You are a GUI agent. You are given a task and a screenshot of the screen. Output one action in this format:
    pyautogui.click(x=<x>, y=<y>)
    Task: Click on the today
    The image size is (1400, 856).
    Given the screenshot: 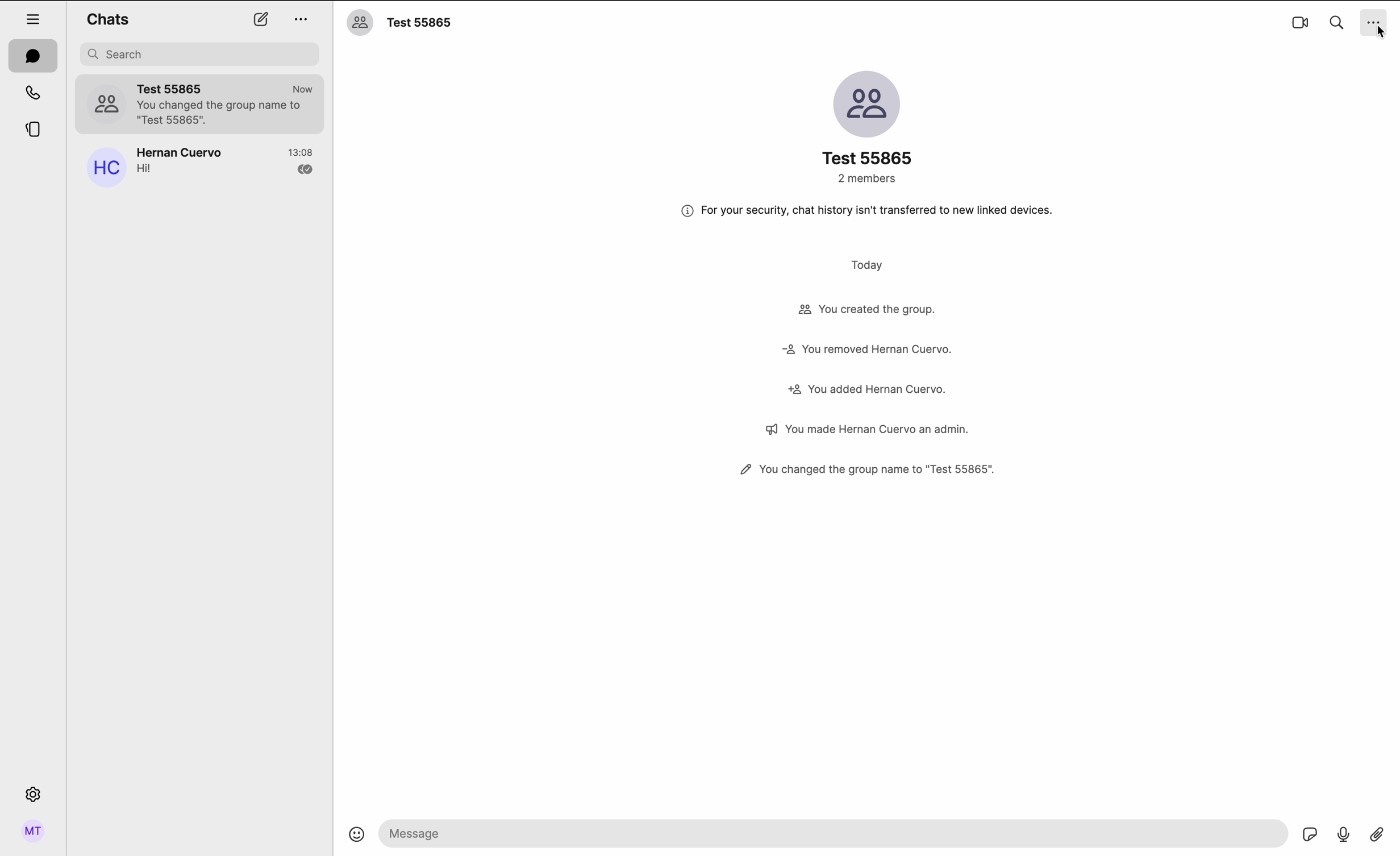 What is the action you would take?
    pyautogui.click(x=869, y=264)
    